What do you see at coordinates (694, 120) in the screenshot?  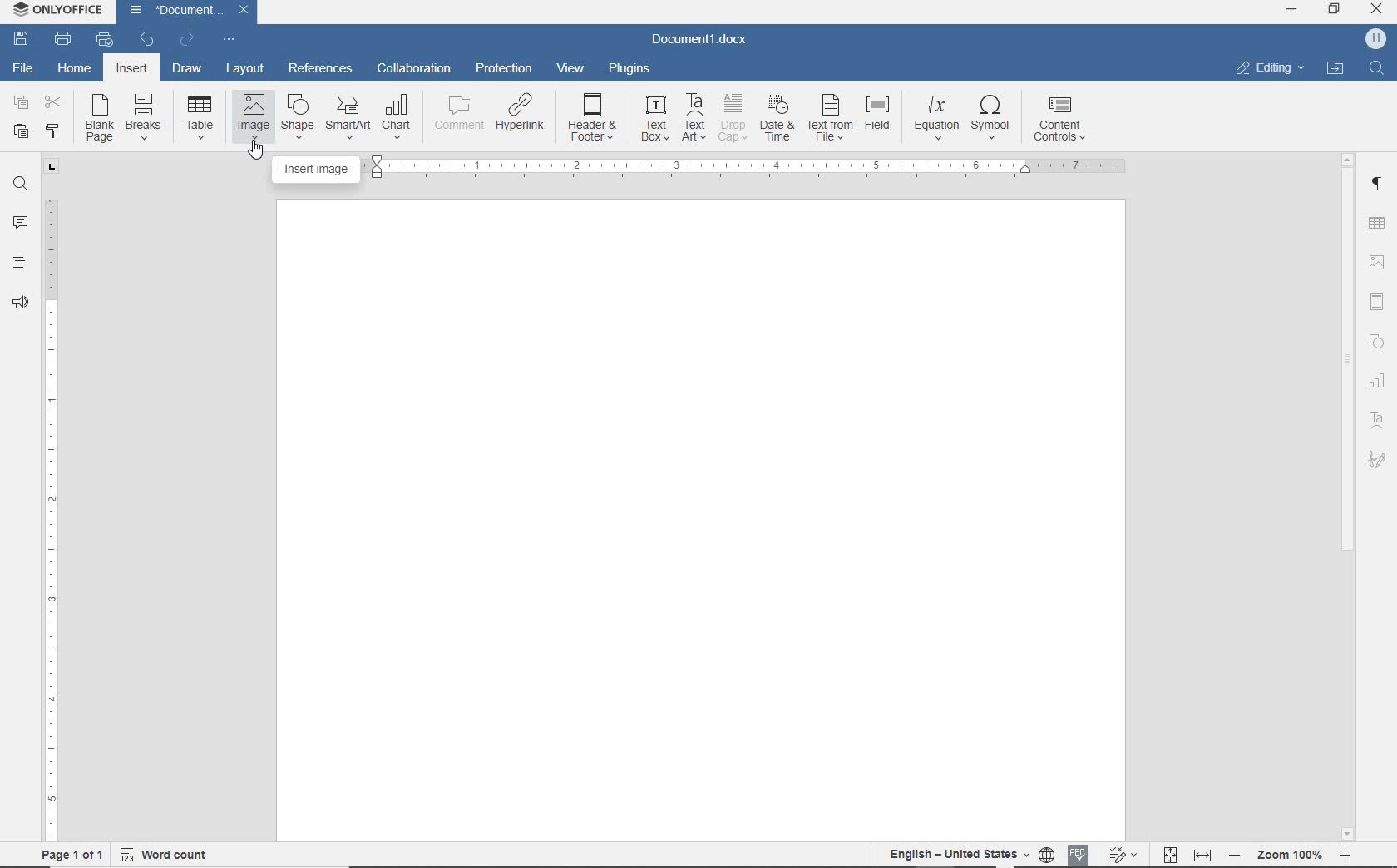 I see `TextArt` at bounding box center [694, 120].